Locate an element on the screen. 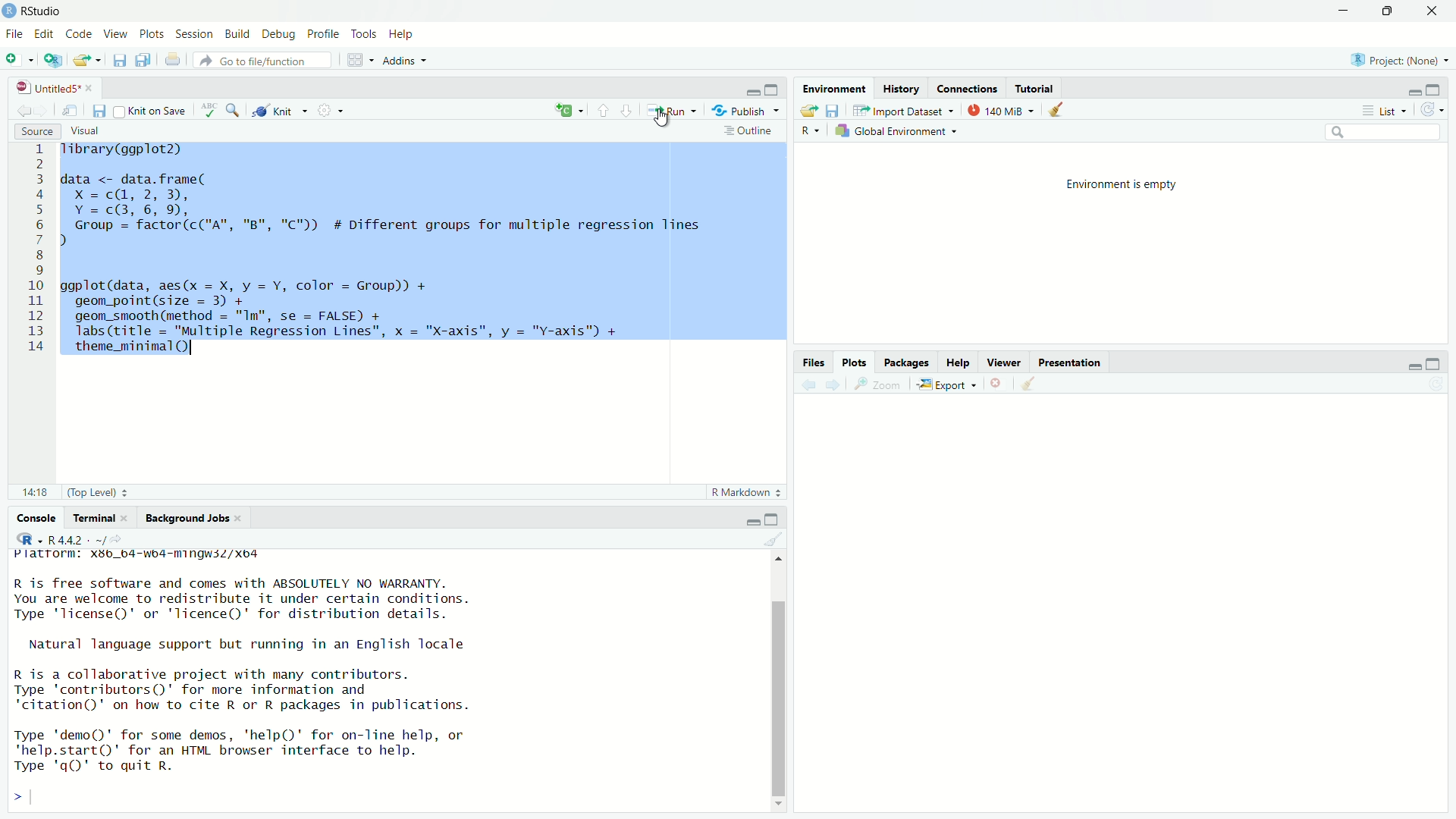 This screenshot has width=1456, height=819. File is located at coordinates (17, 34).